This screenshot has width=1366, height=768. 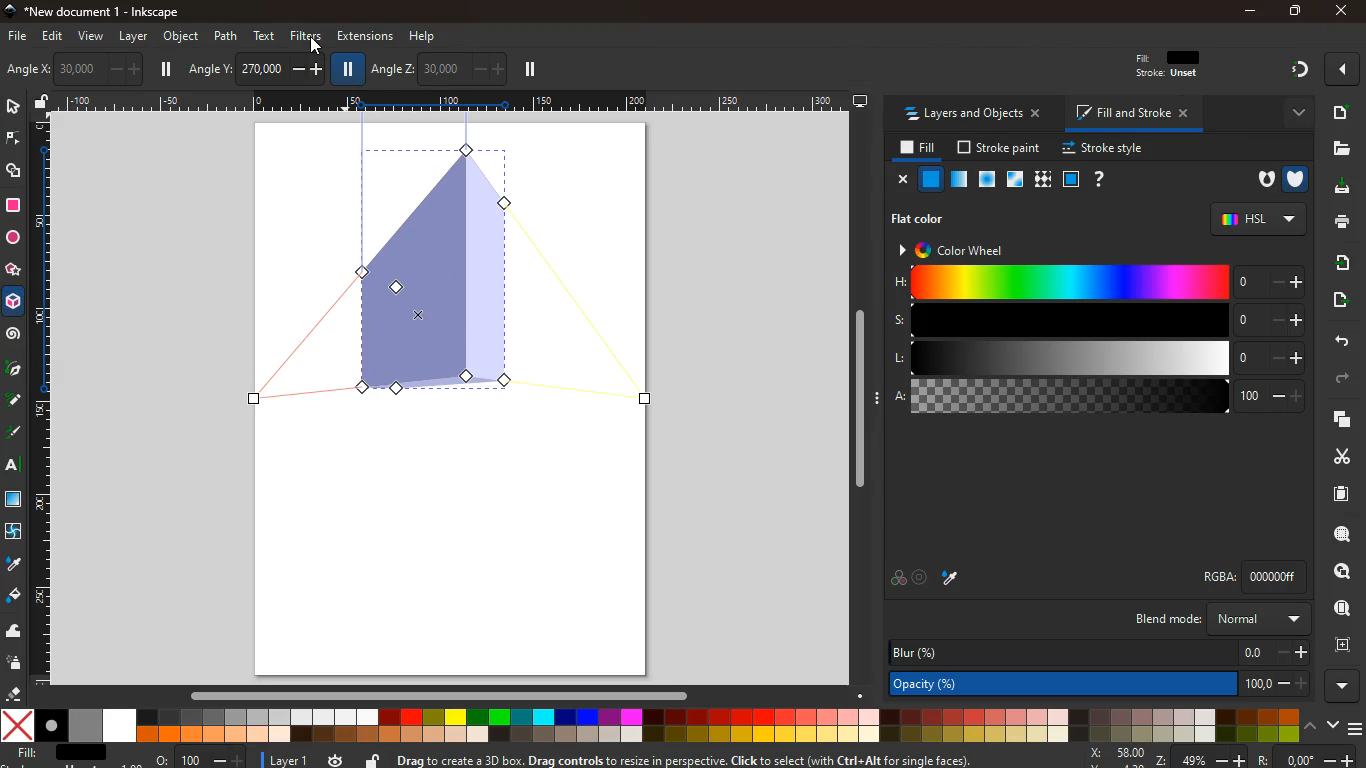 I want to click on pic, so click(x=13, y=370).